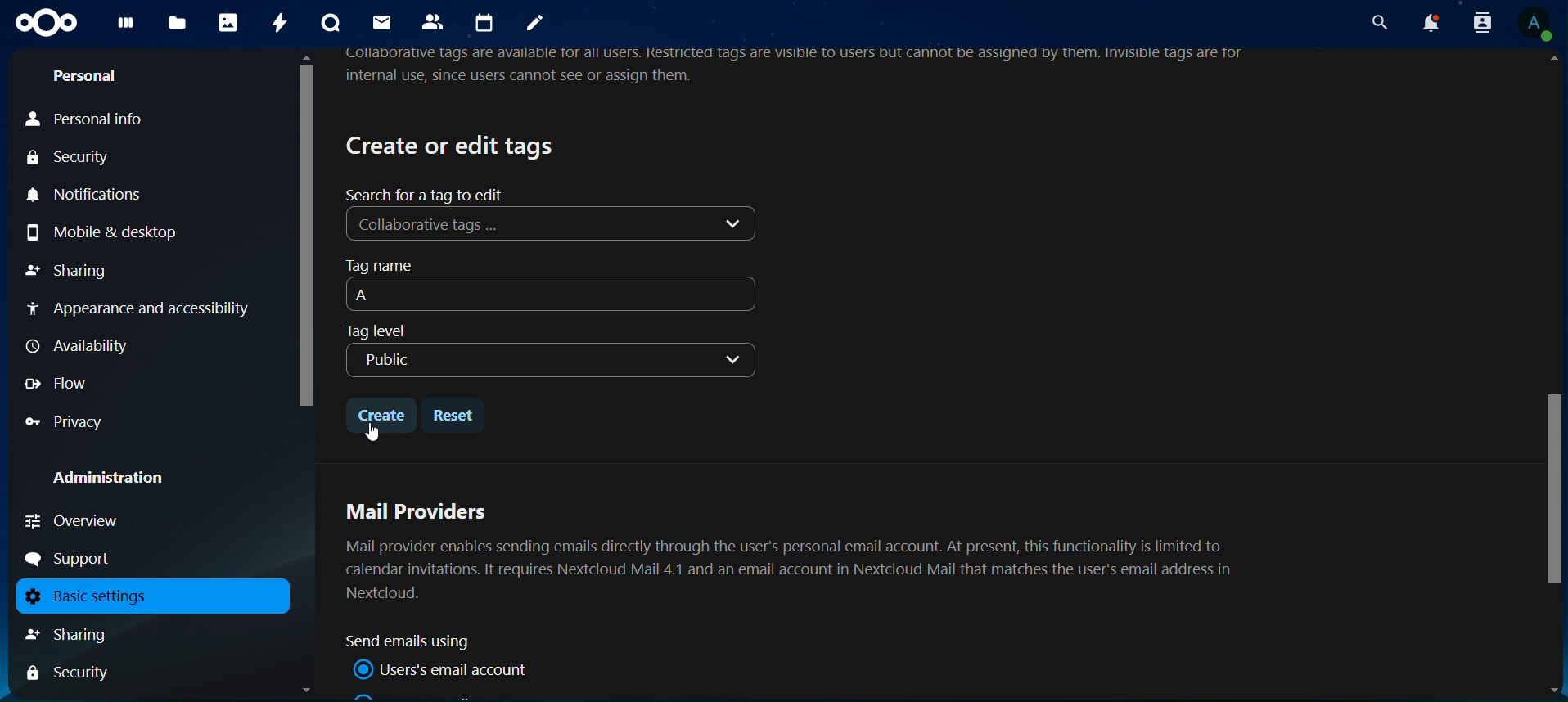 This screenshot has height=702, width=1568. Describe the element at coordinates (70, 269) in the screenshot. I see `sharing` at that location.